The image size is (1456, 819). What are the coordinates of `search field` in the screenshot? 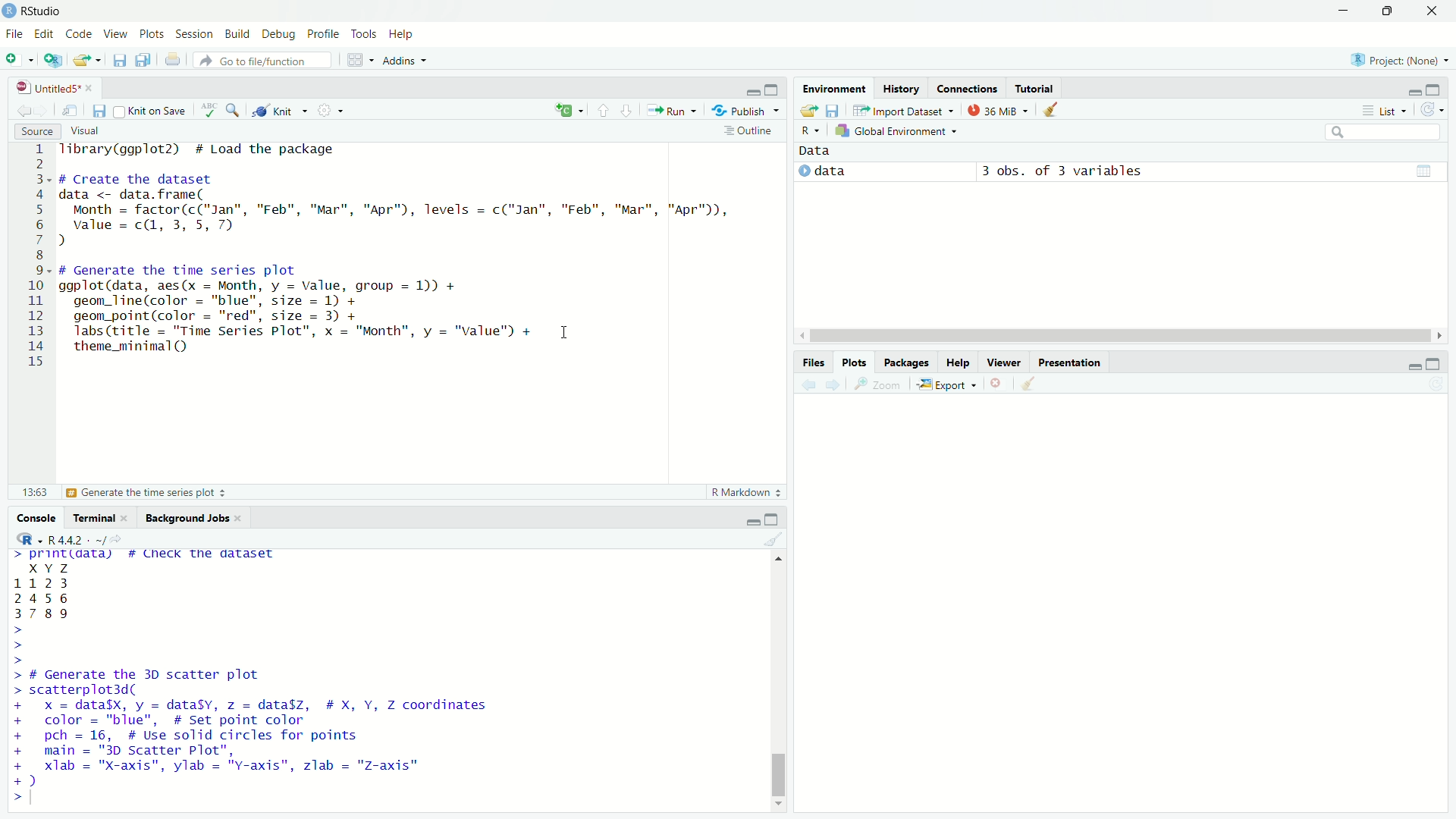 It's located at (1382, 133).